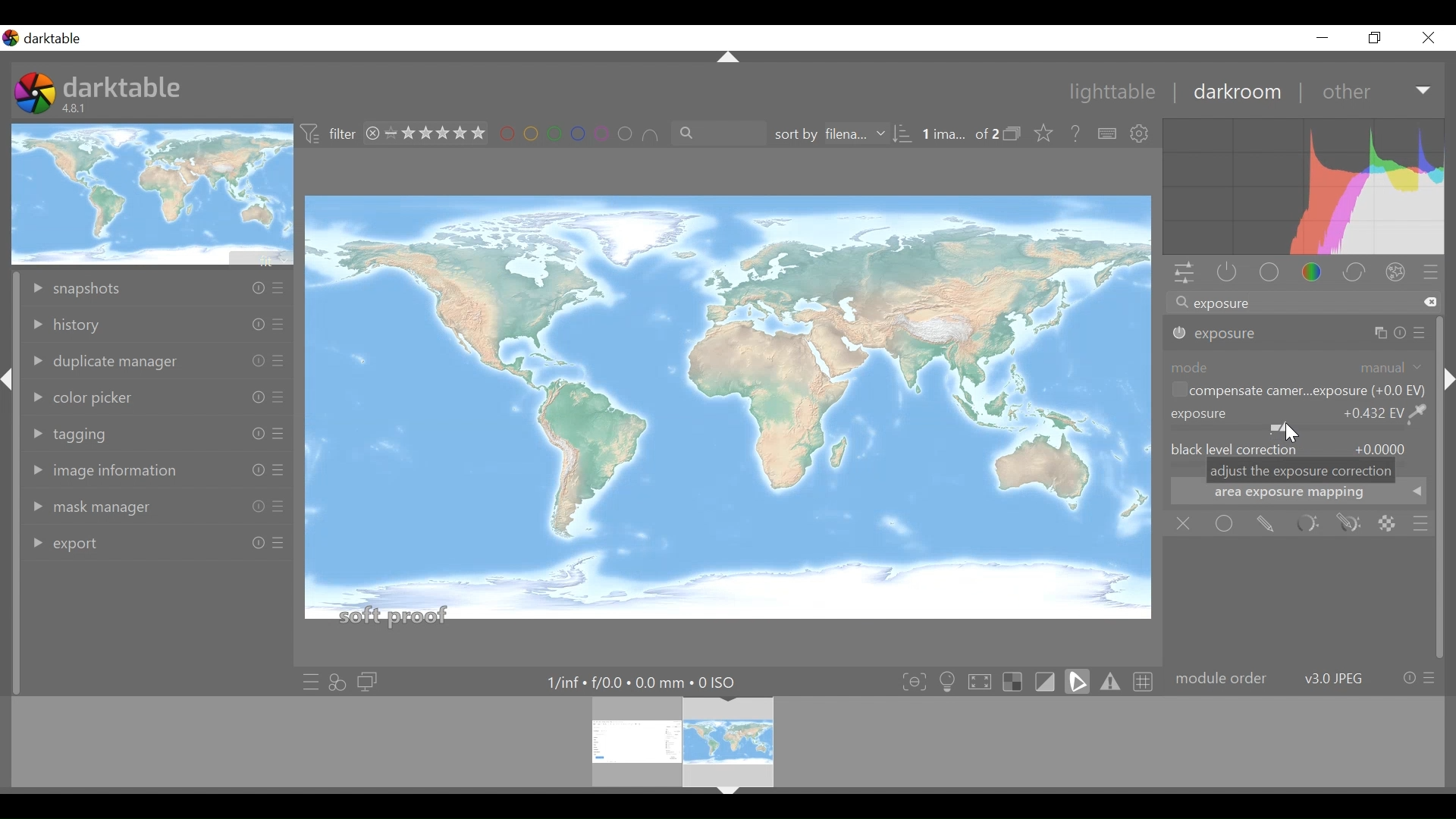 The image size is (1456, 819). I want to click on darkroom, so click(1236, 92).